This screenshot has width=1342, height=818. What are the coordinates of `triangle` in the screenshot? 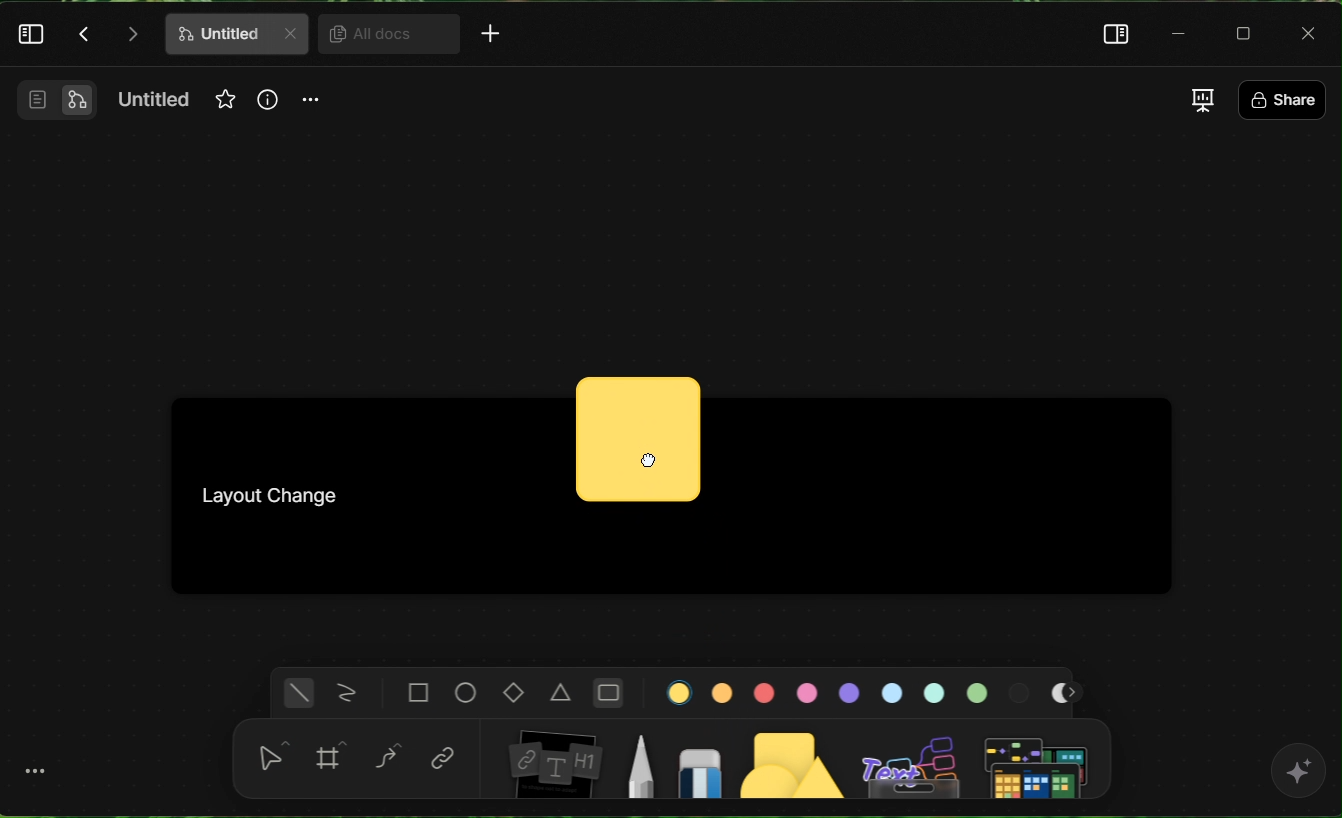 It's located at (563, 692).